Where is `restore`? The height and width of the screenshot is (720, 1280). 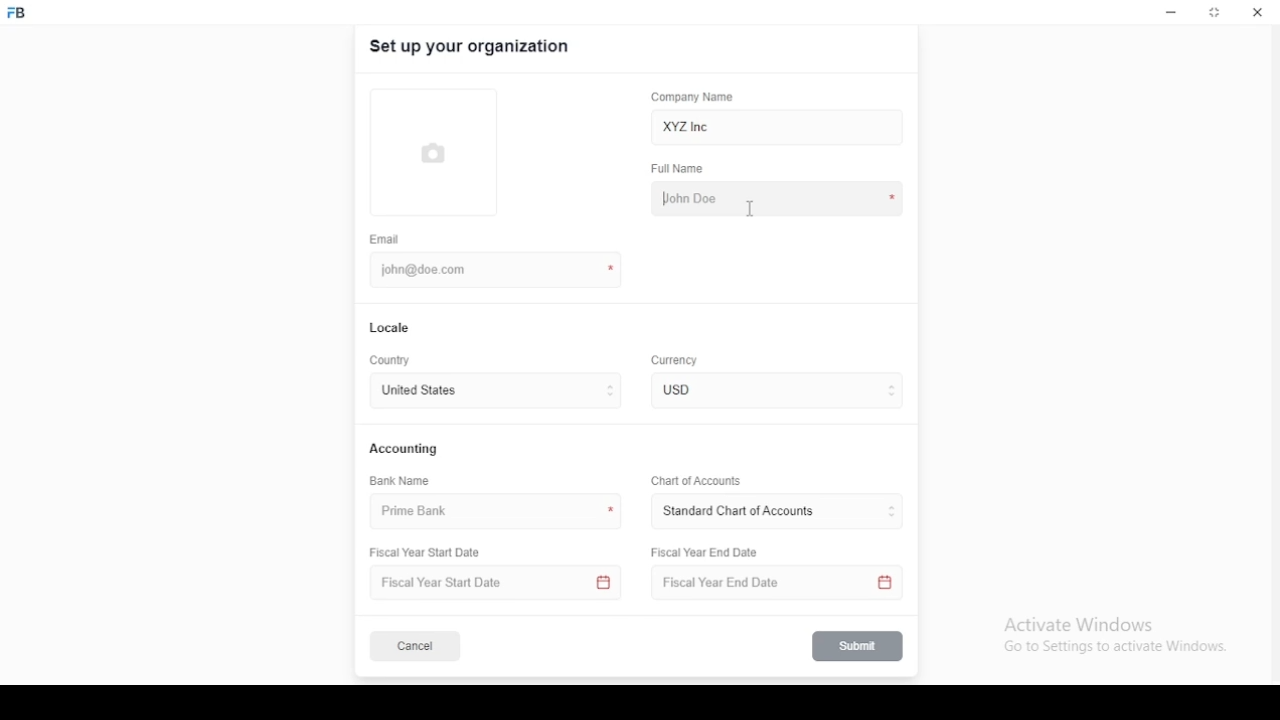 restore is located at coordinates (1216, 14).